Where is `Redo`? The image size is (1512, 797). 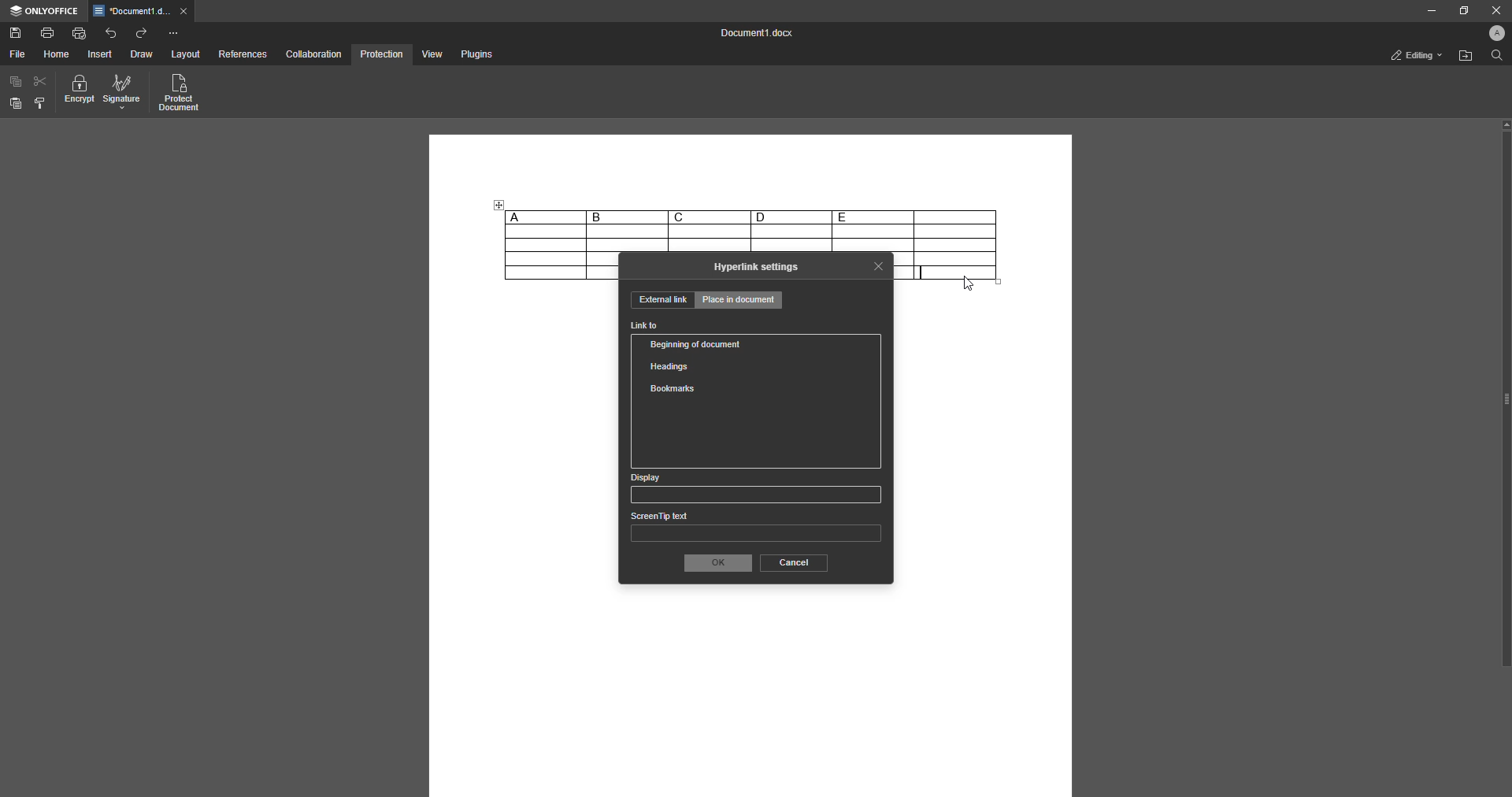 Redo is located at coordinates (143, 33).